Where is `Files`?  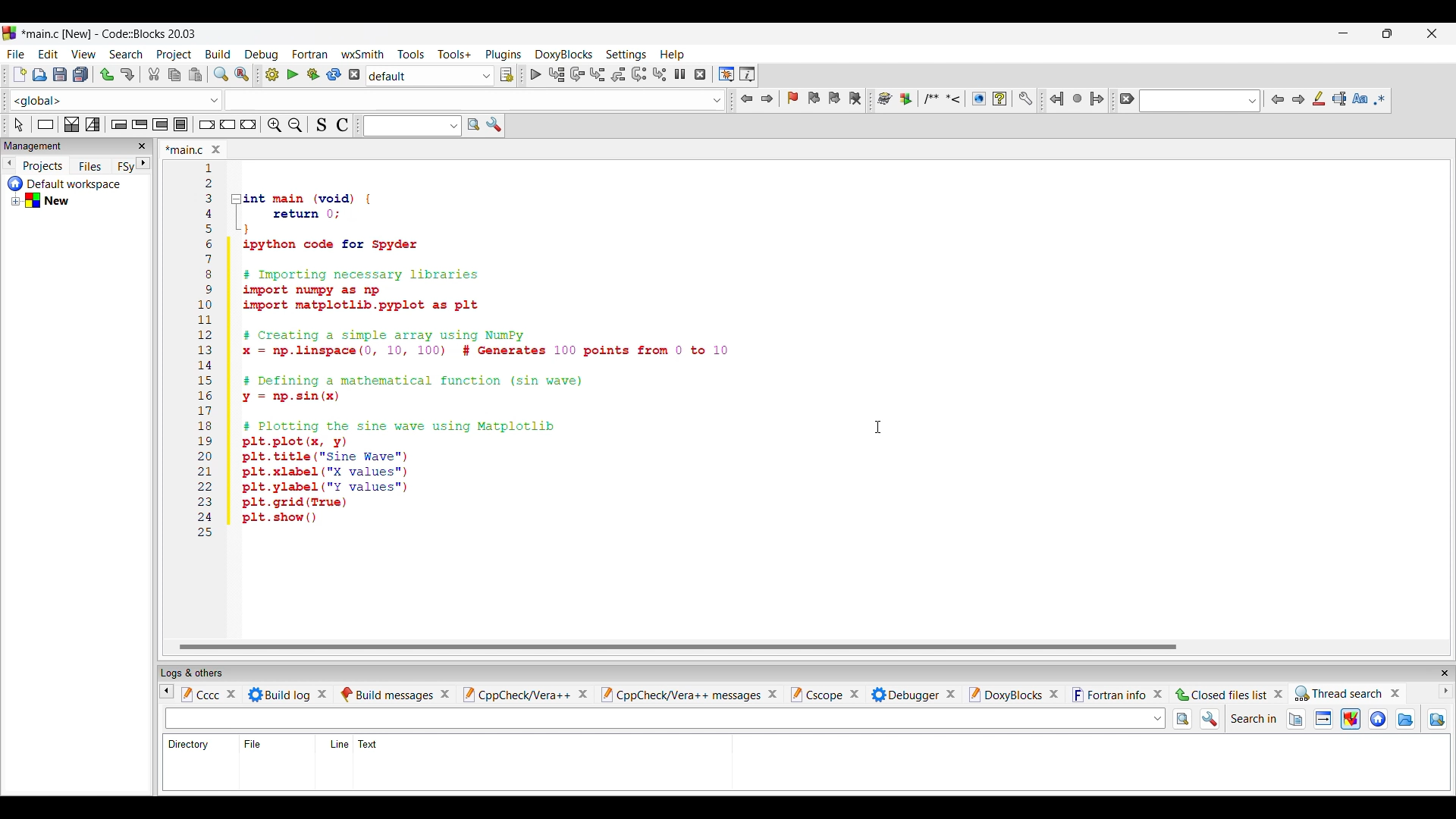 Files is located at coordinates (86, 165).